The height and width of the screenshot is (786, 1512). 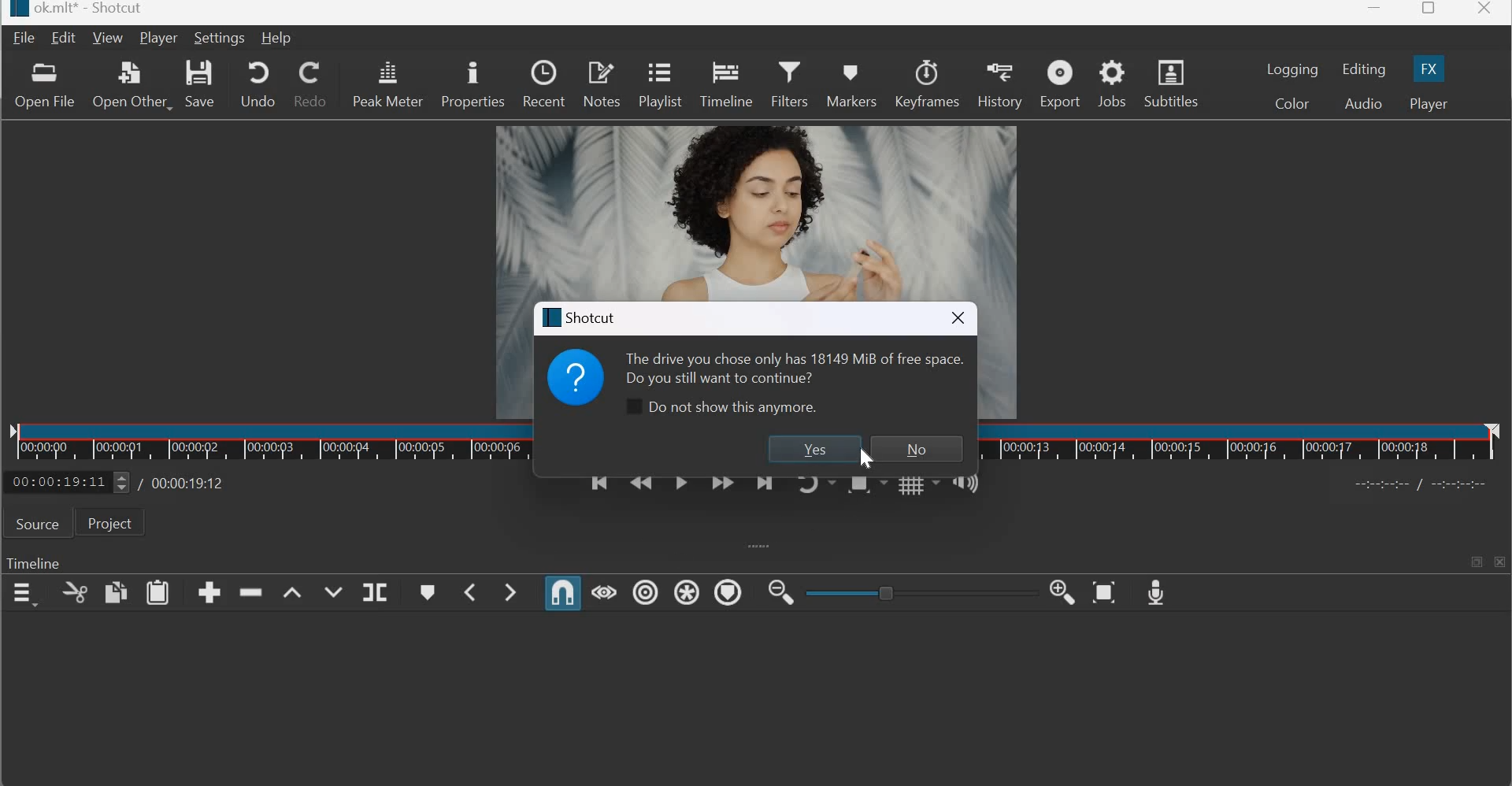 What do you see at coordinates (577, 382) in the screenshot?
I see `?` at bounding box center [577, 382].